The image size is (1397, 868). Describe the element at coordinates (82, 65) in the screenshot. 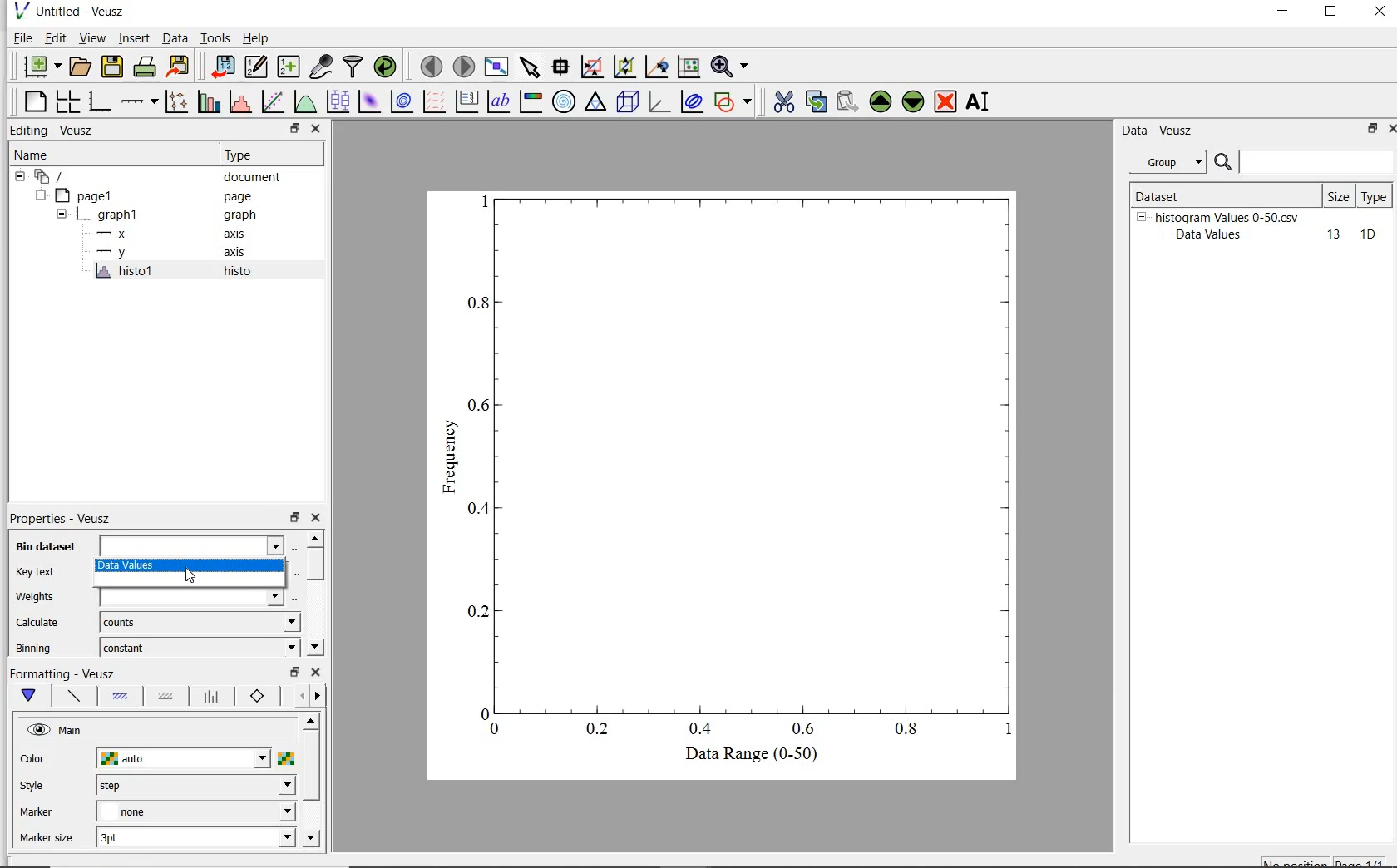

I see `open` at that location.